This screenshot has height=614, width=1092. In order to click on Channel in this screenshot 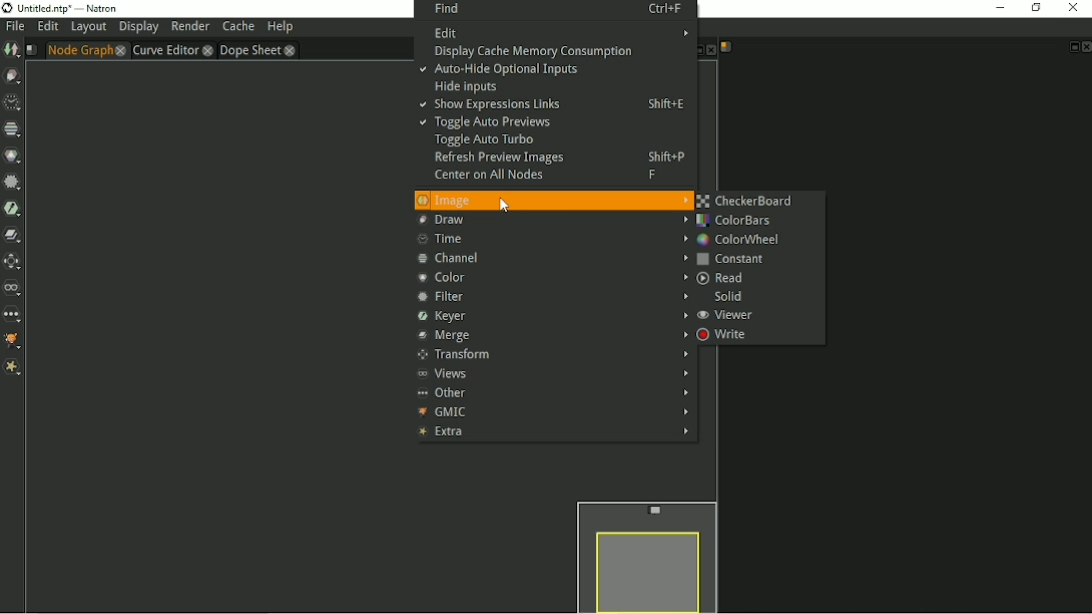, I will do `click(12, 129)`.